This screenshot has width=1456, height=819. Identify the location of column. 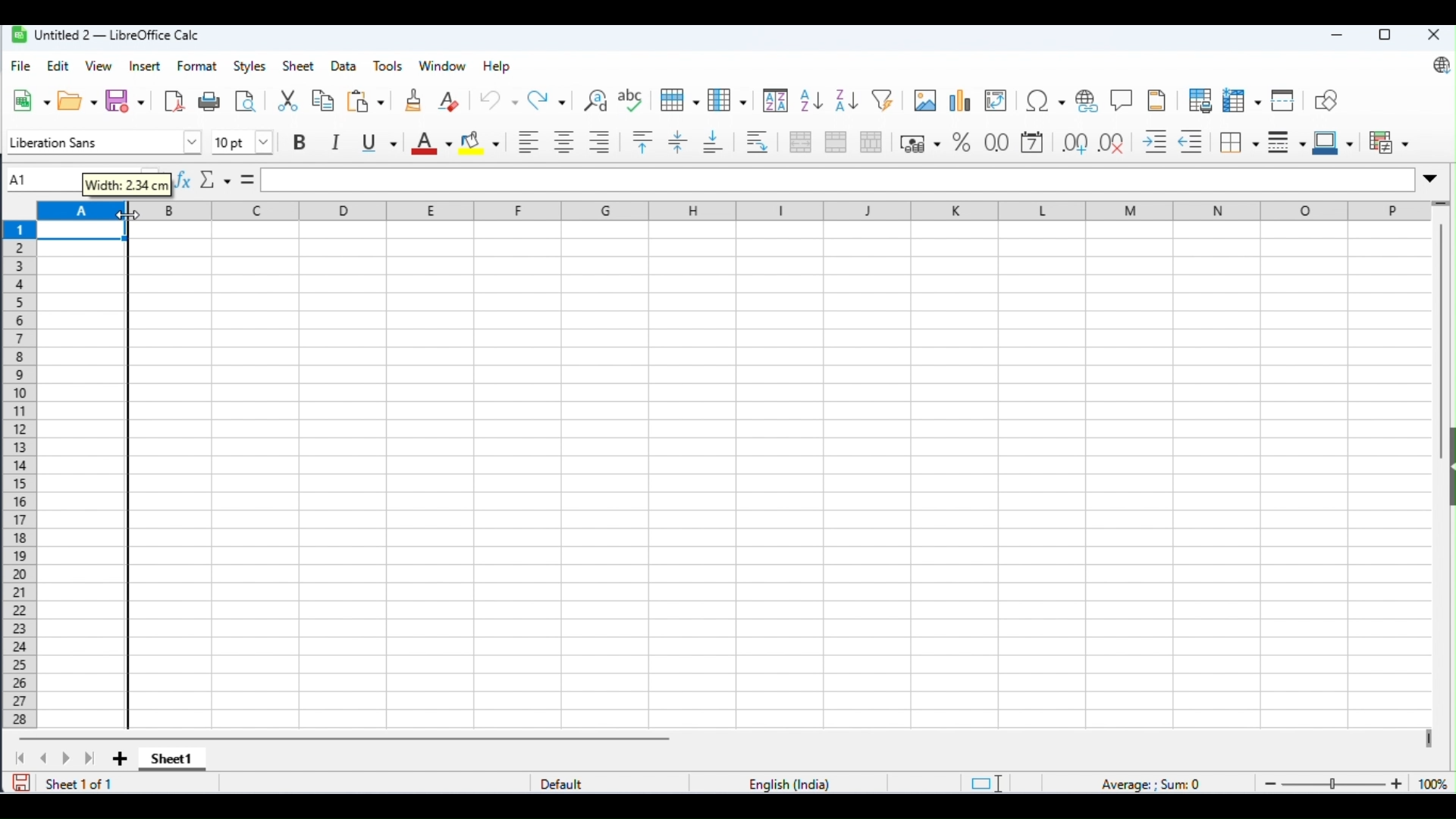
(729, 99).